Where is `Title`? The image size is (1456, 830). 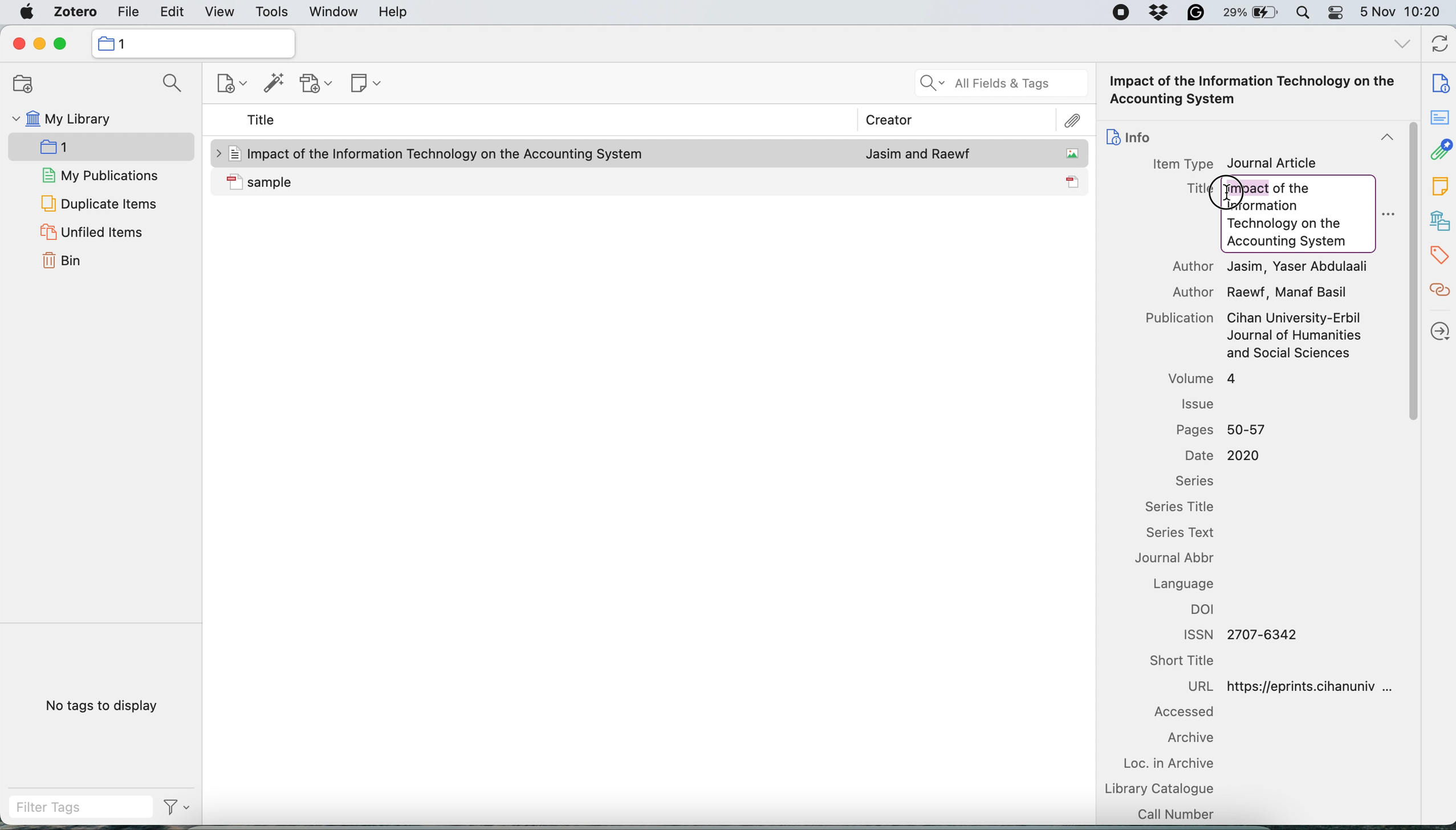
Title is located at coordinates (1201, 189).